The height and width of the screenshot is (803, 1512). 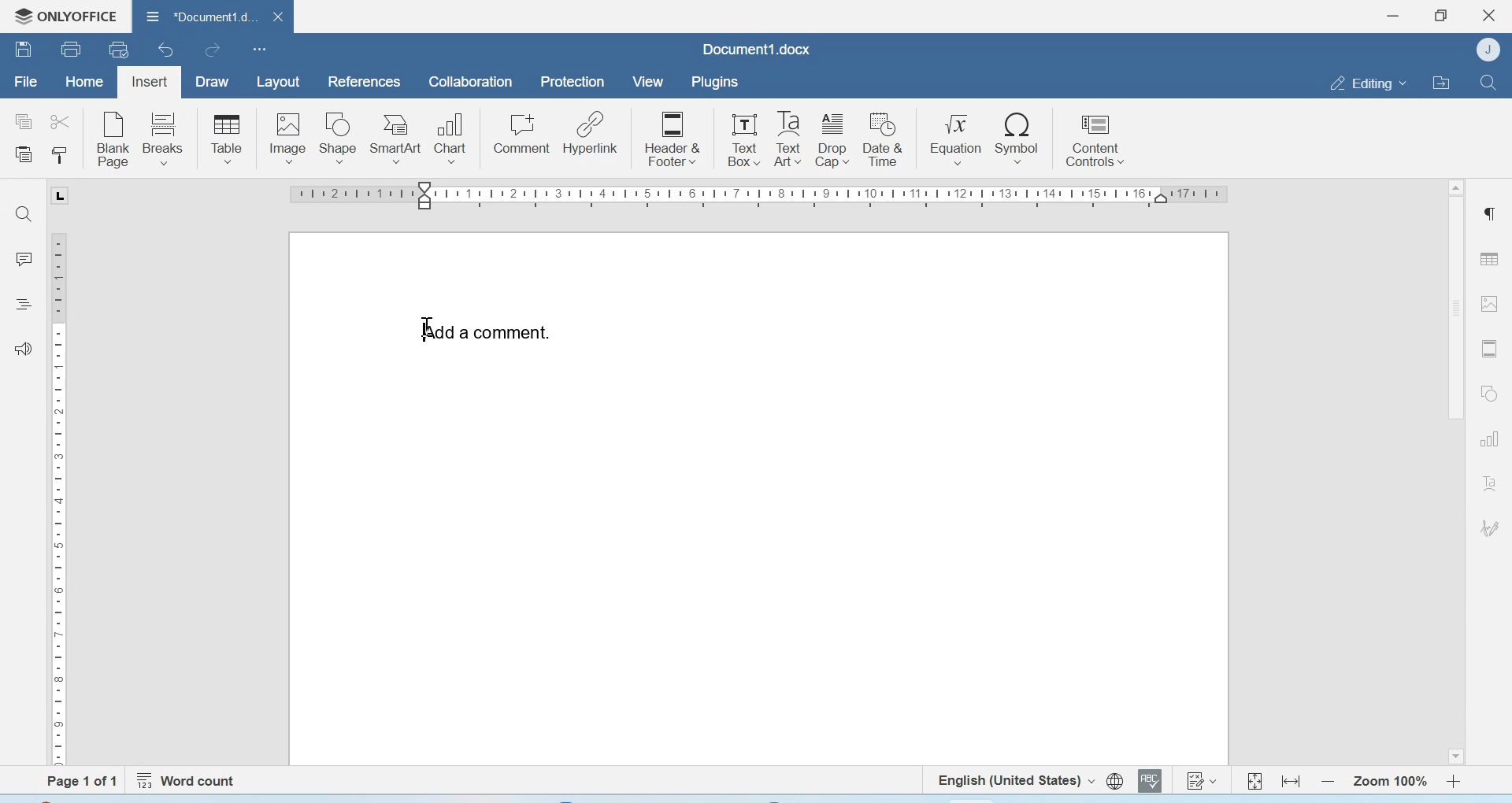 I want to click on cursor, so click(x=428, y=320).